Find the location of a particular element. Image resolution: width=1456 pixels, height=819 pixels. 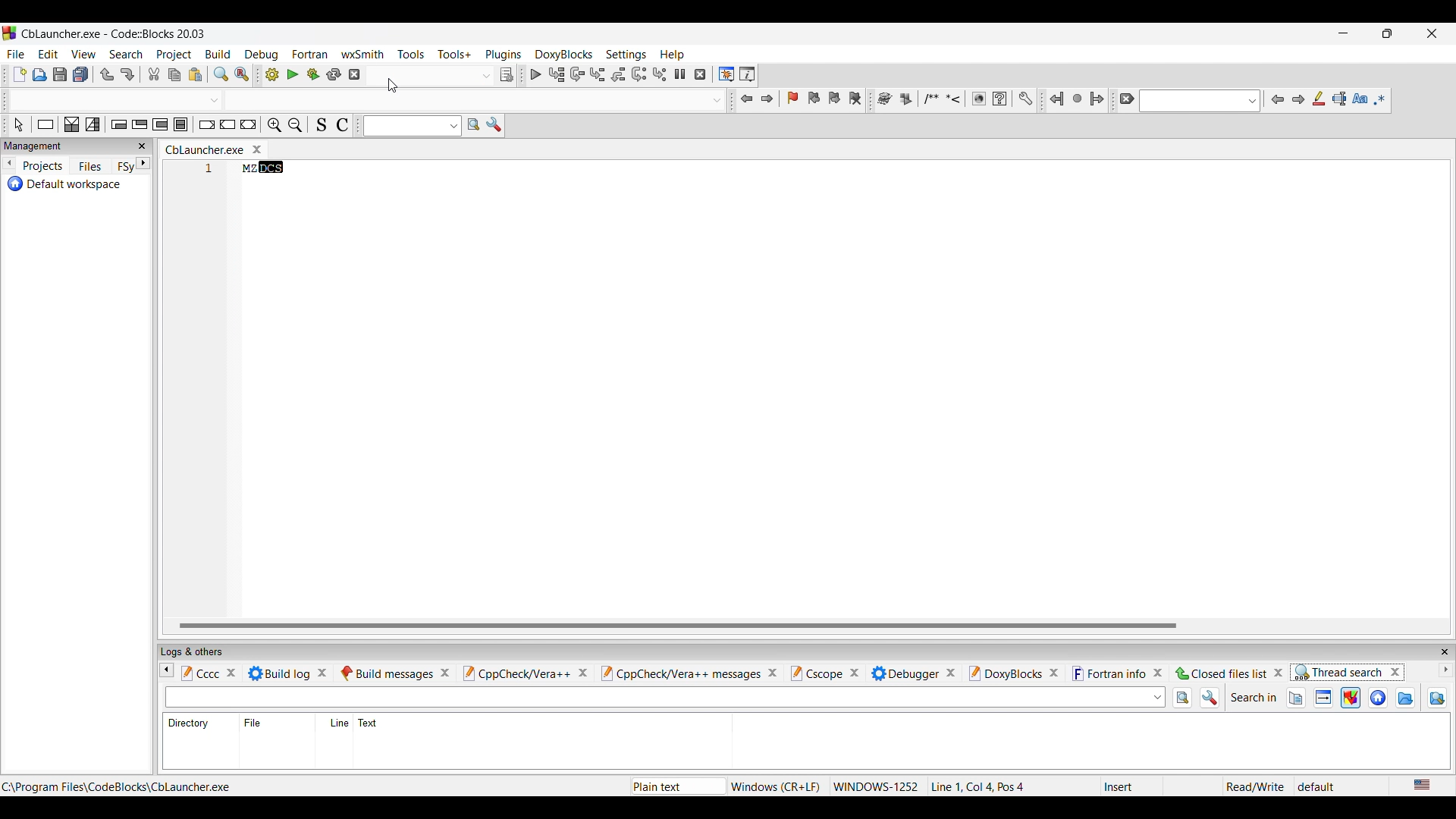

Go to next is located at coordinates (143, 163).